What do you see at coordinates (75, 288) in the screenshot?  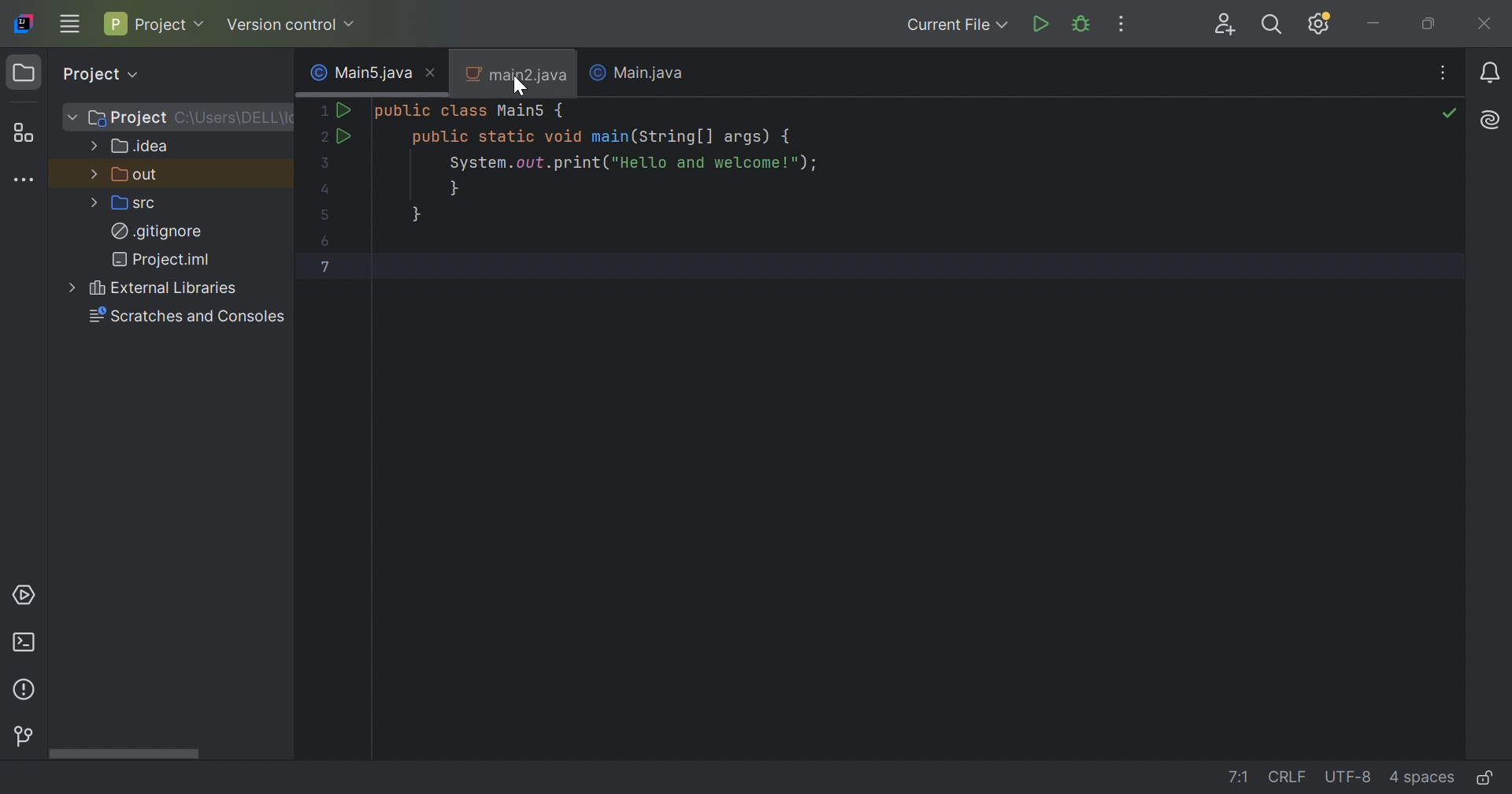 I see `More` at bounding box center [75, 288].